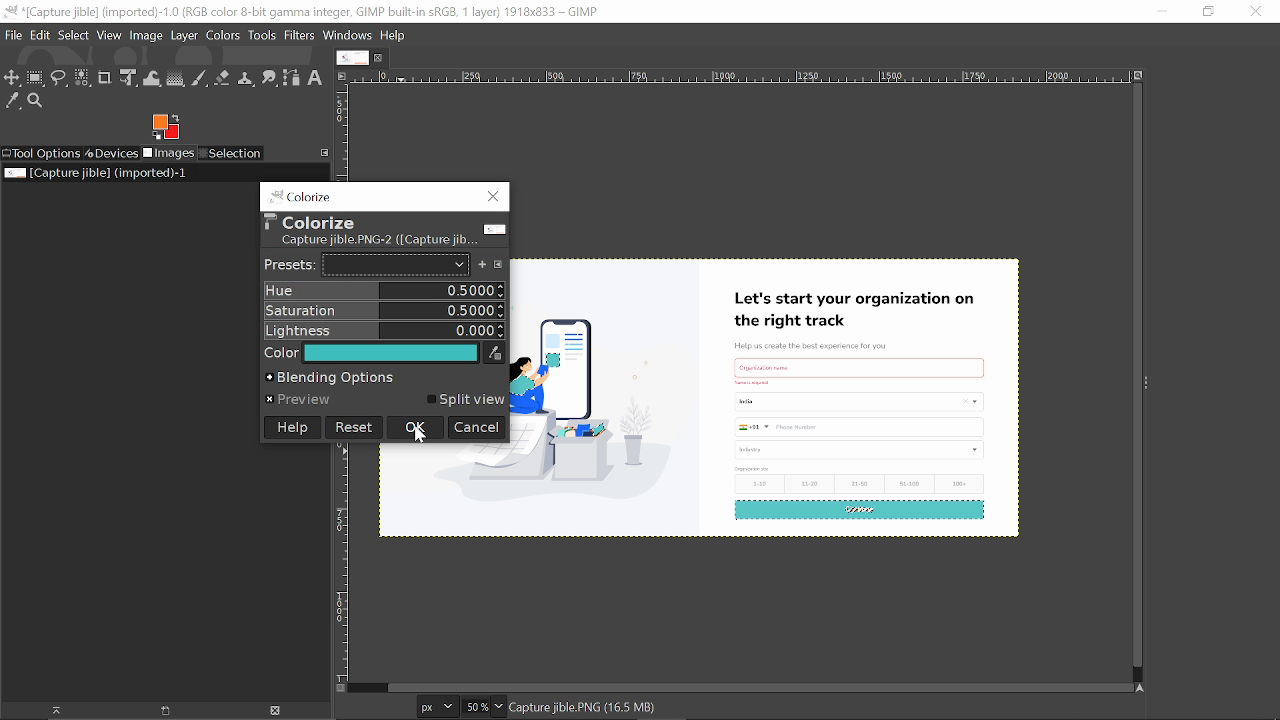  What do you see at coordinates (13, 34) in the screenshot?
I see `File` at bounding box center [13, 34].